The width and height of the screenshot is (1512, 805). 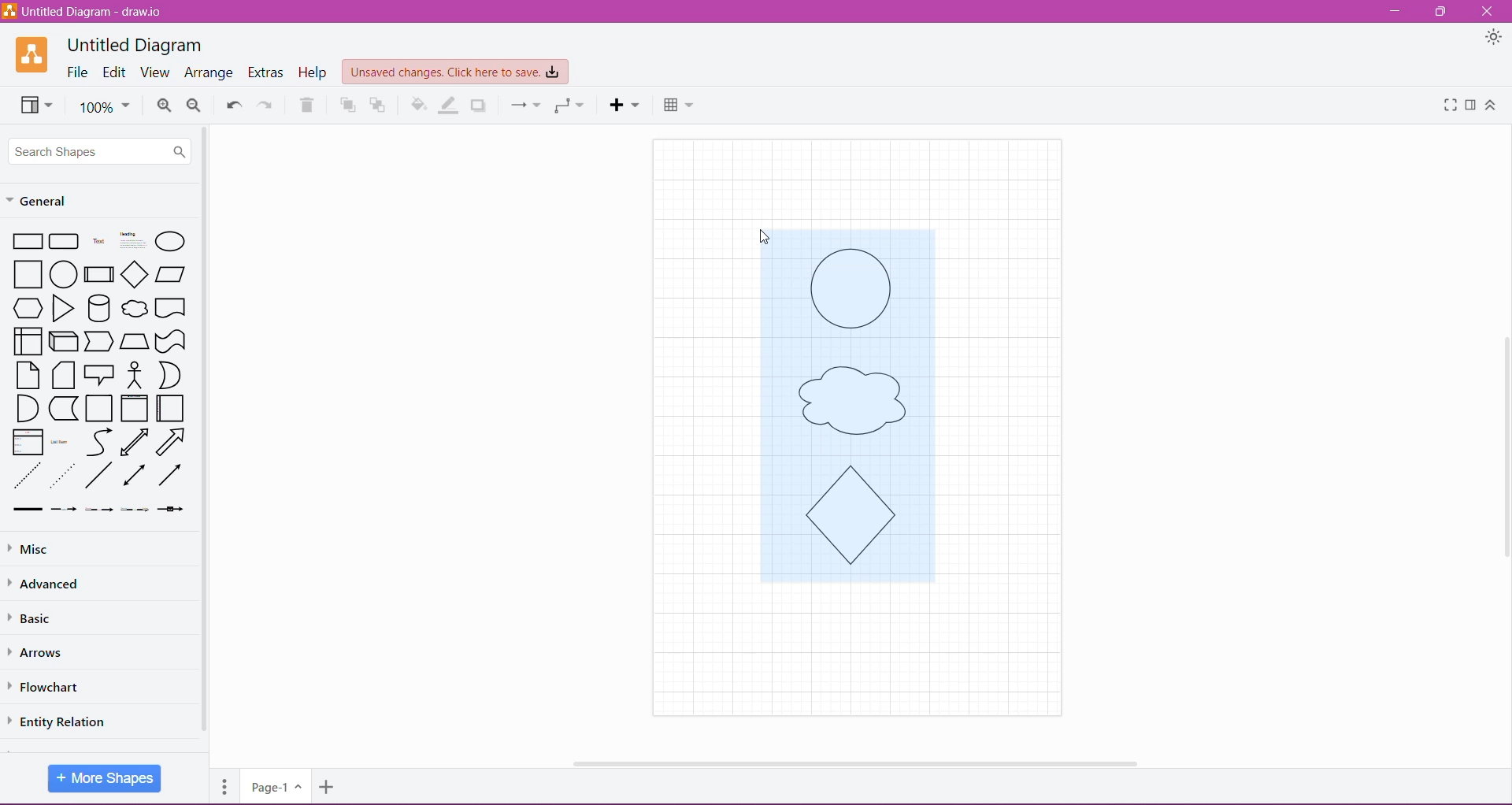 What do you see at coordinates (380, 105) in the screenshot?
I see `To Back` at bounding box center [380, 105].